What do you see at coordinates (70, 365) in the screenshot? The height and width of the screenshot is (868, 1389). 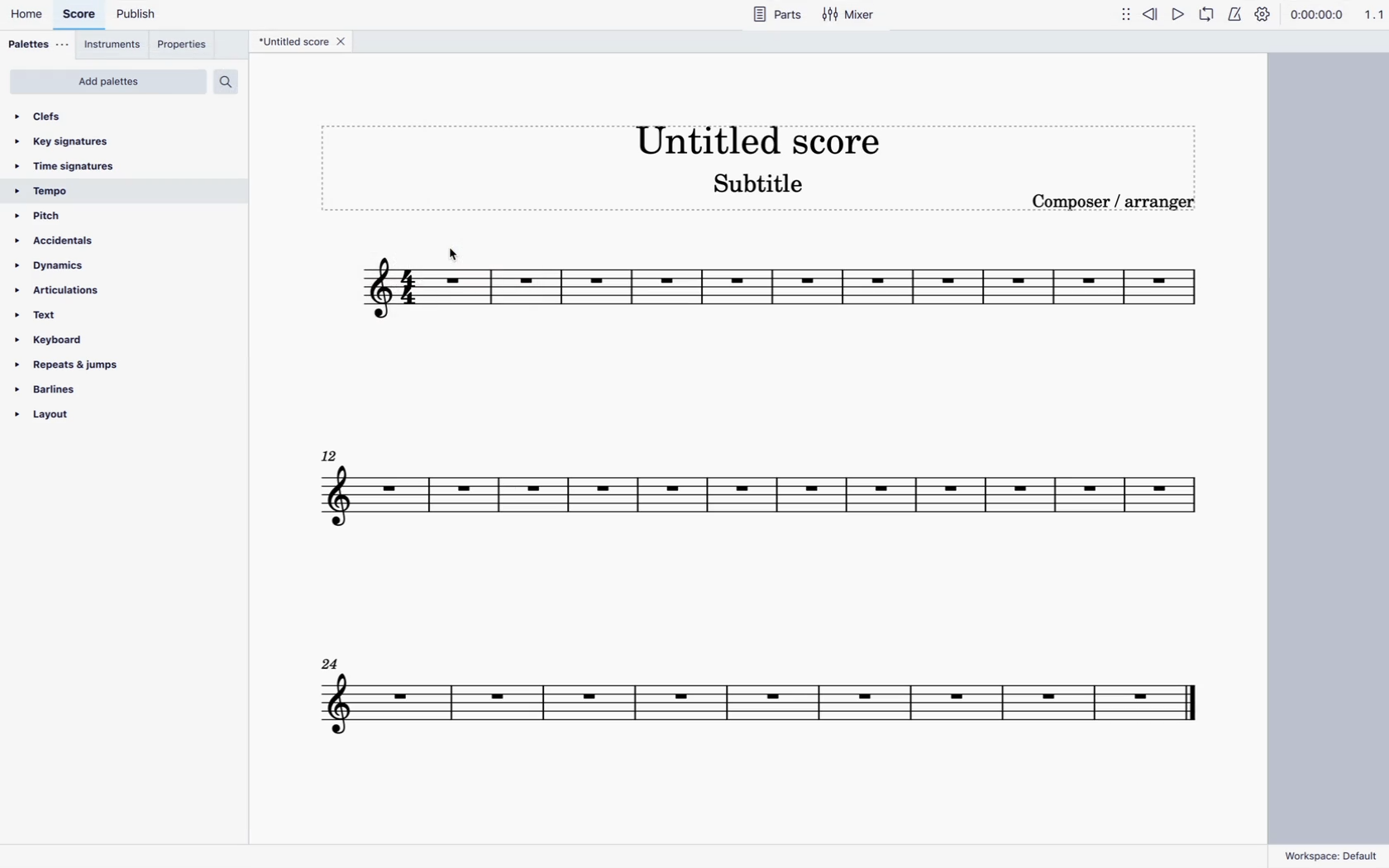 I see `repeats & jumps` at bounding box center [70, 365].